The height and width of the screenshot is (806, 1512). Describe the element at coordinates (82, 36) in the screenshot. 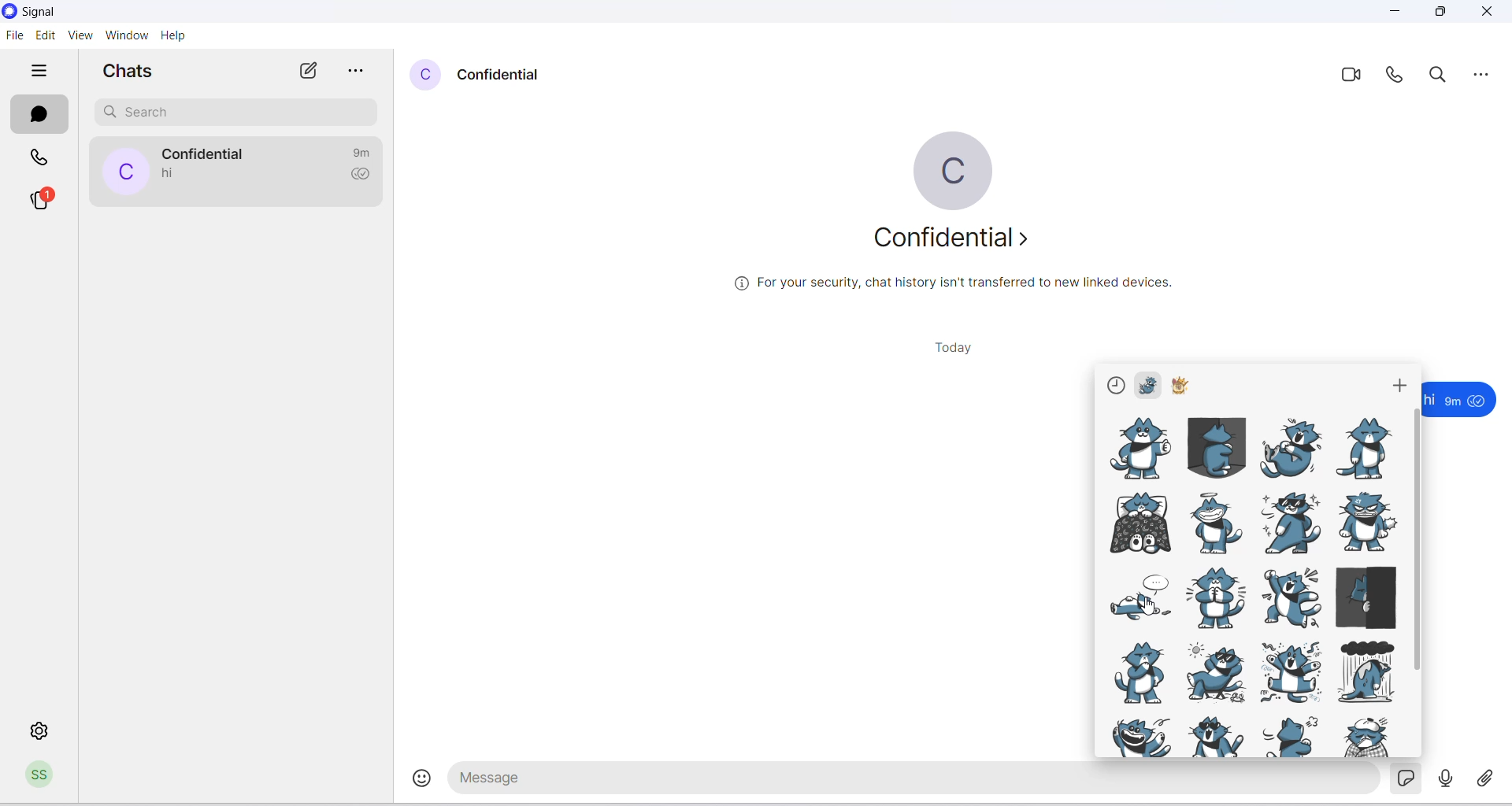

I see `view` at that location.